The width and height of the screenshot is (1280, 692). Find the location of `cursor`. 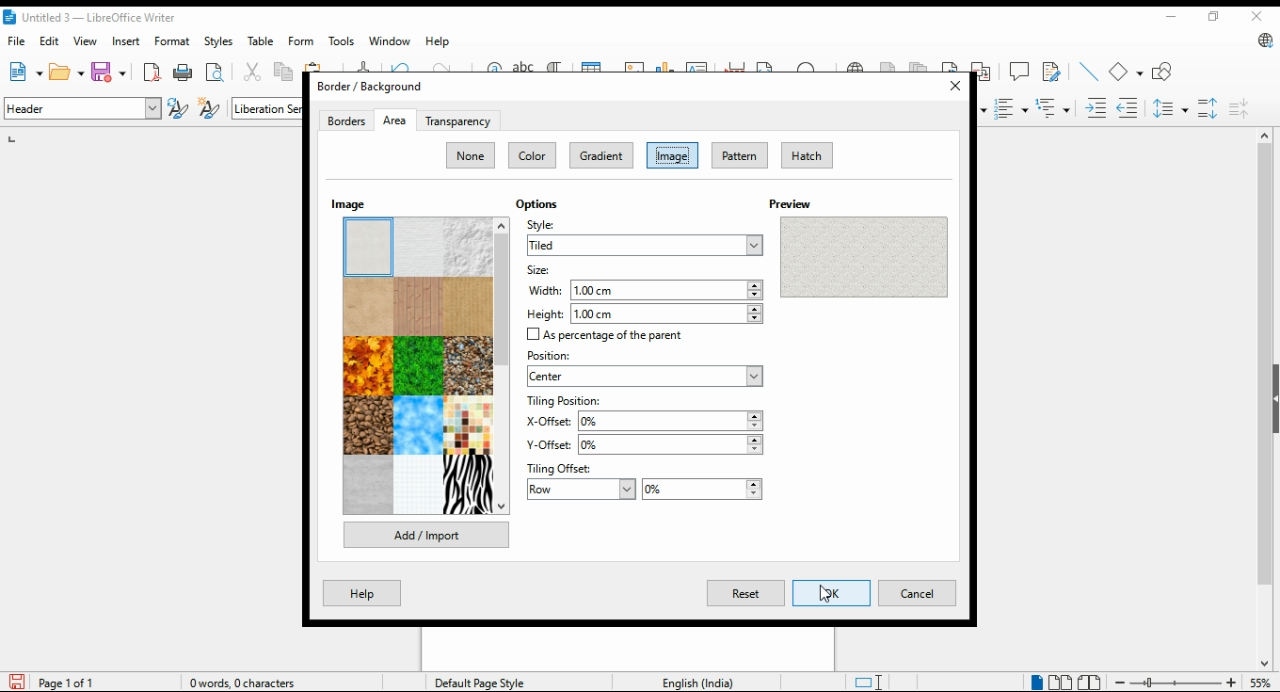

cursor is located at coordinates (823, 592).